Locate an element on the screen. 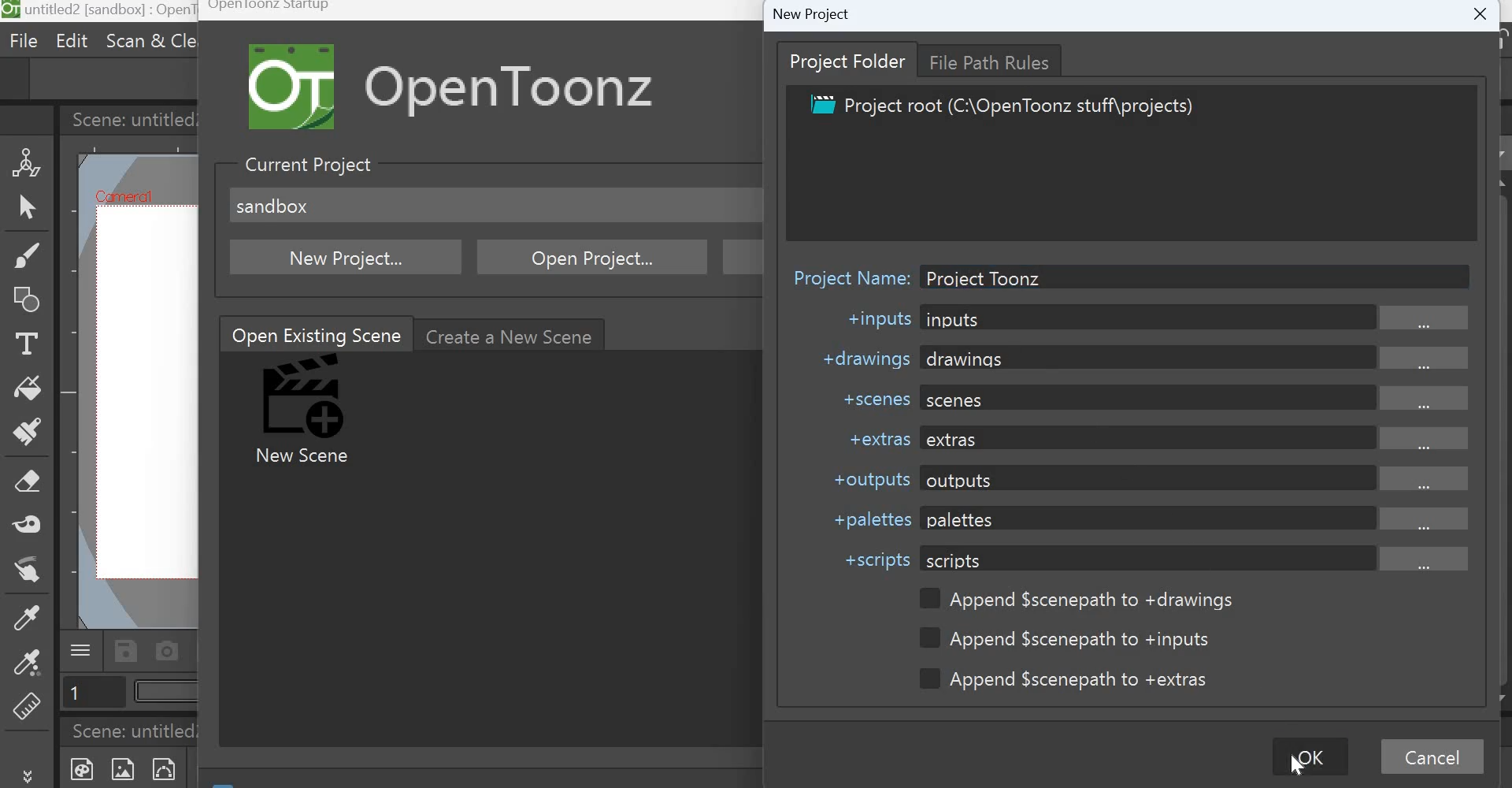  +extras is located at coordinates (871, 439).